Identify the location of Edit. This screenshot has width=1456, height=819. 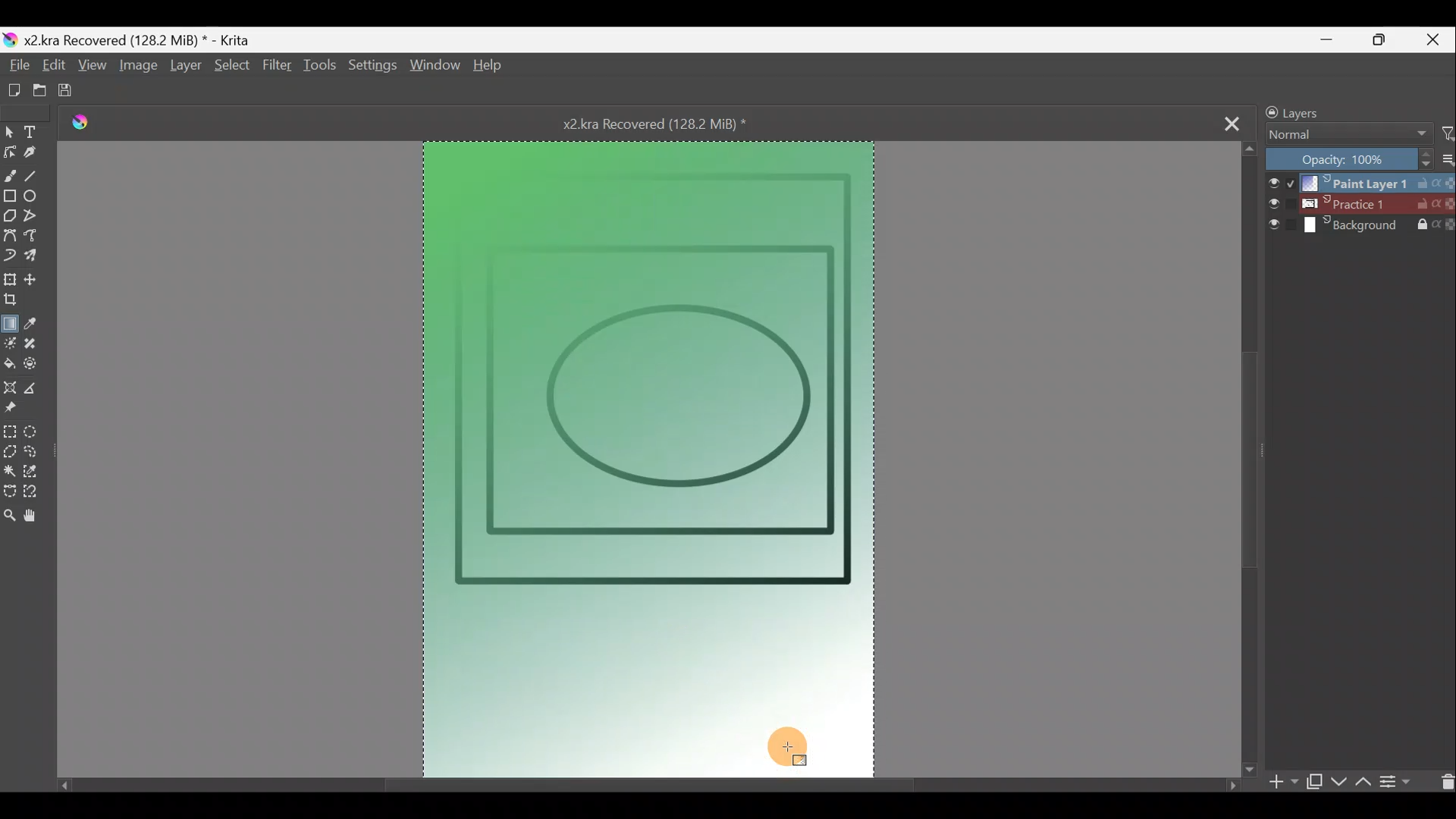
(52, 68).